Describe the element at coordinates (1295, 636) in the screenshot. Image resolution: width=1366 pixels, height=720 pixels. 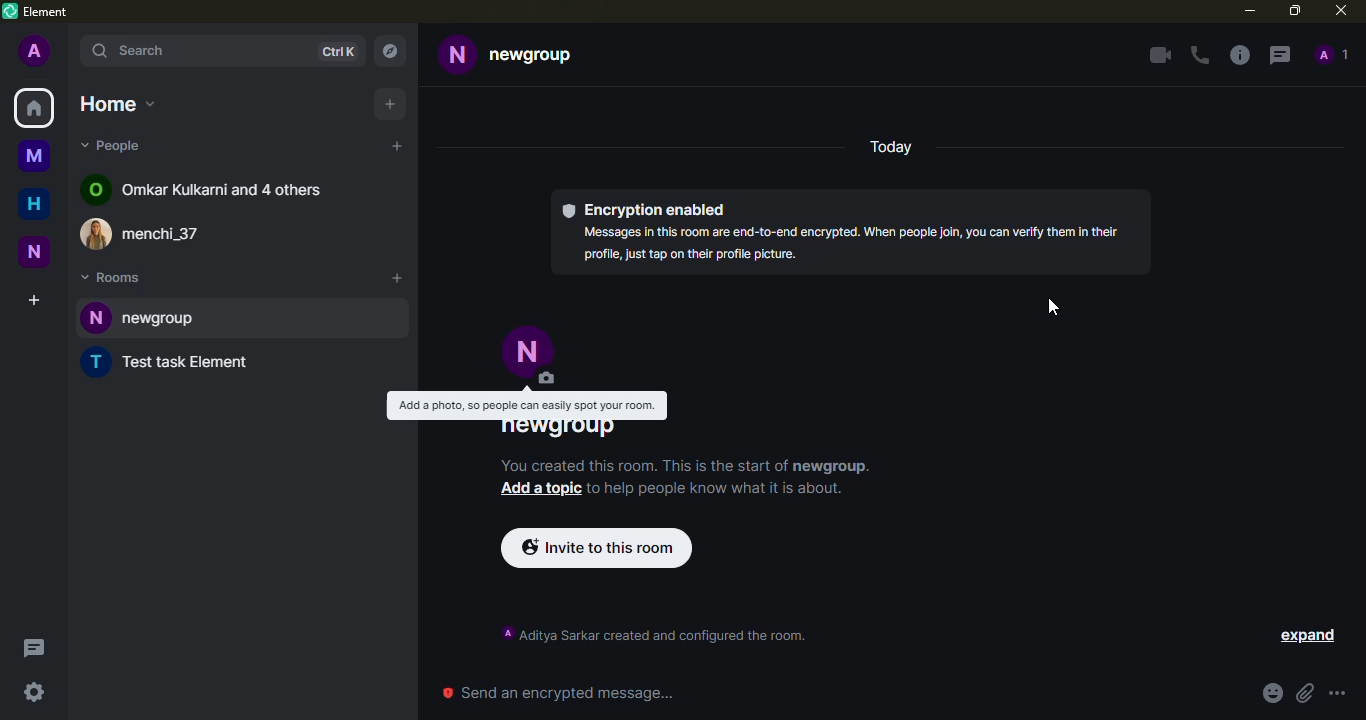
I see `expand` at that location.